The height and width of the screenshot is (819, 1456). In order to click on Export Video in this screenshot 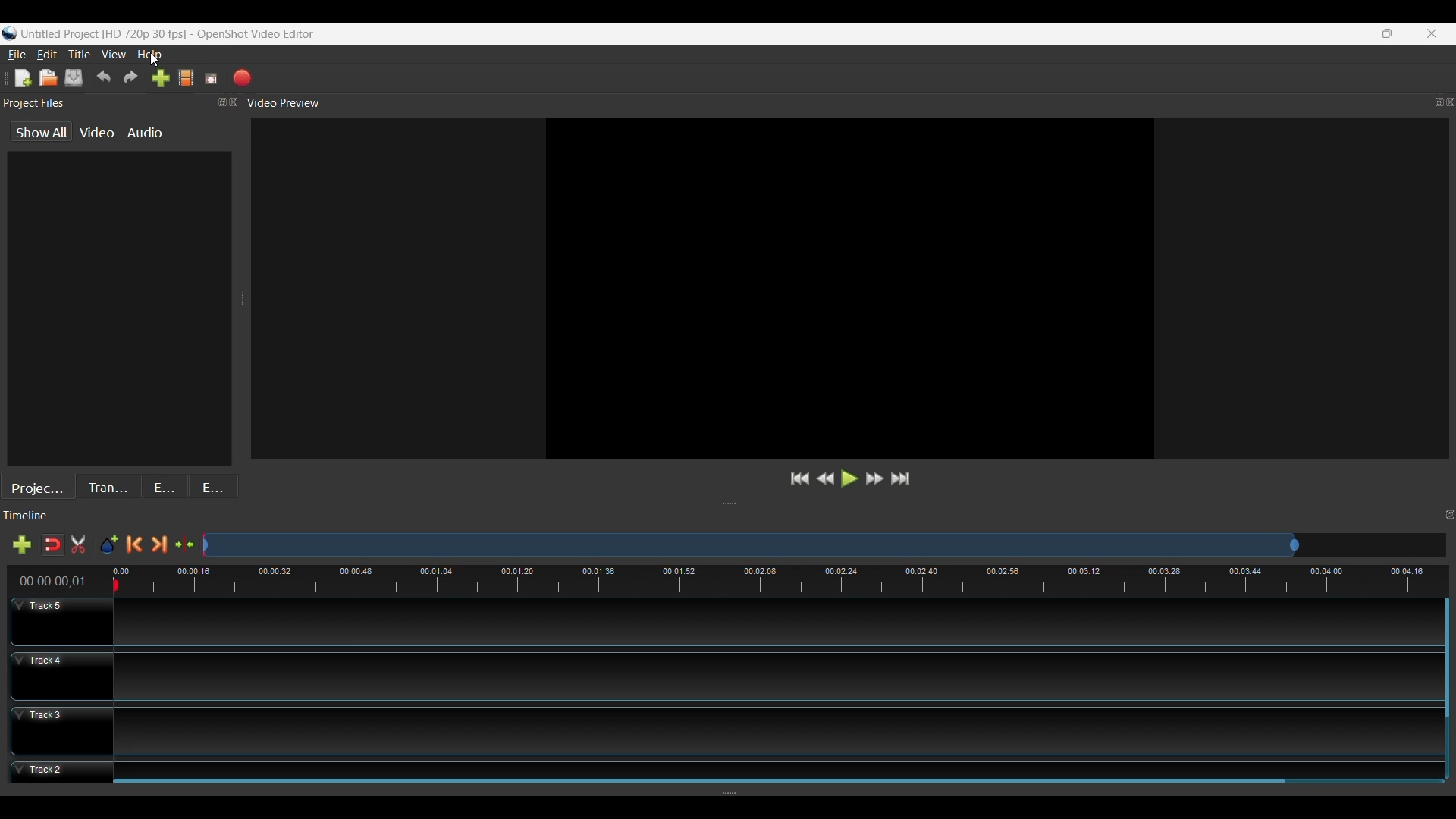, I will do `click(240, 78)`.